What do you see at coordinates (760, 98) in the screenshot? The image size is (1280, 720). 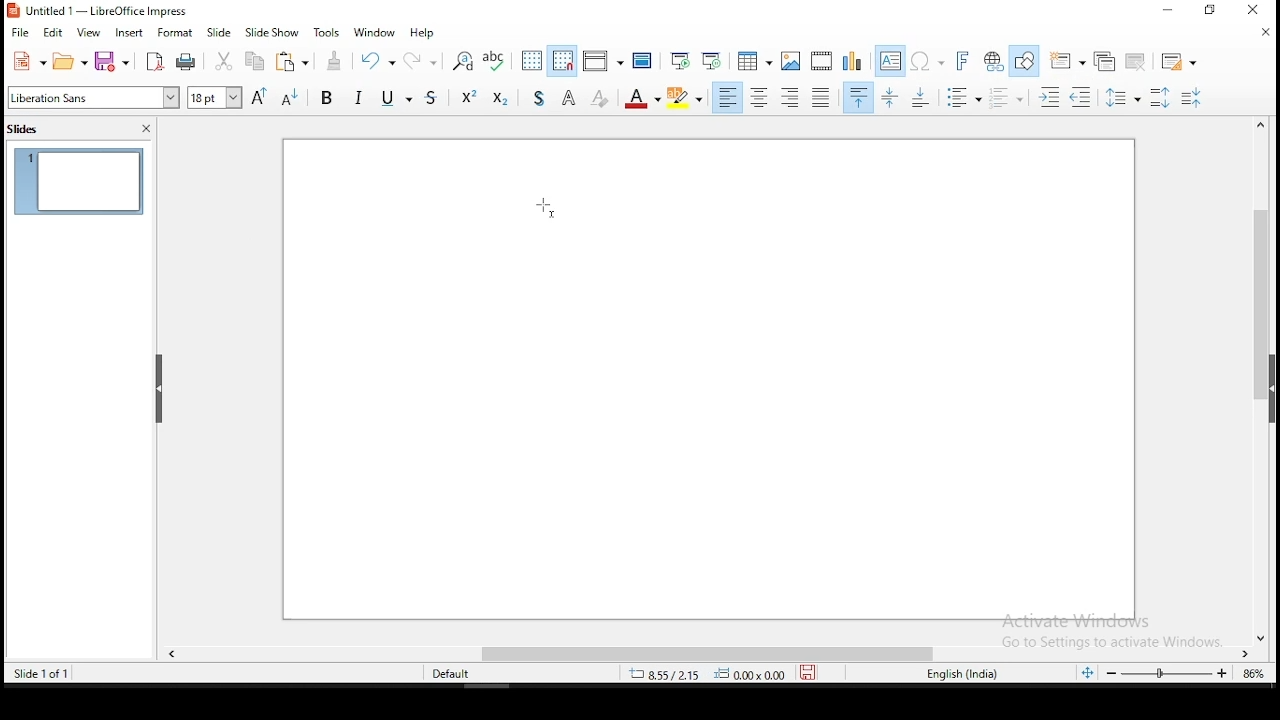 I see `align center` at bounding box center [760, 98].